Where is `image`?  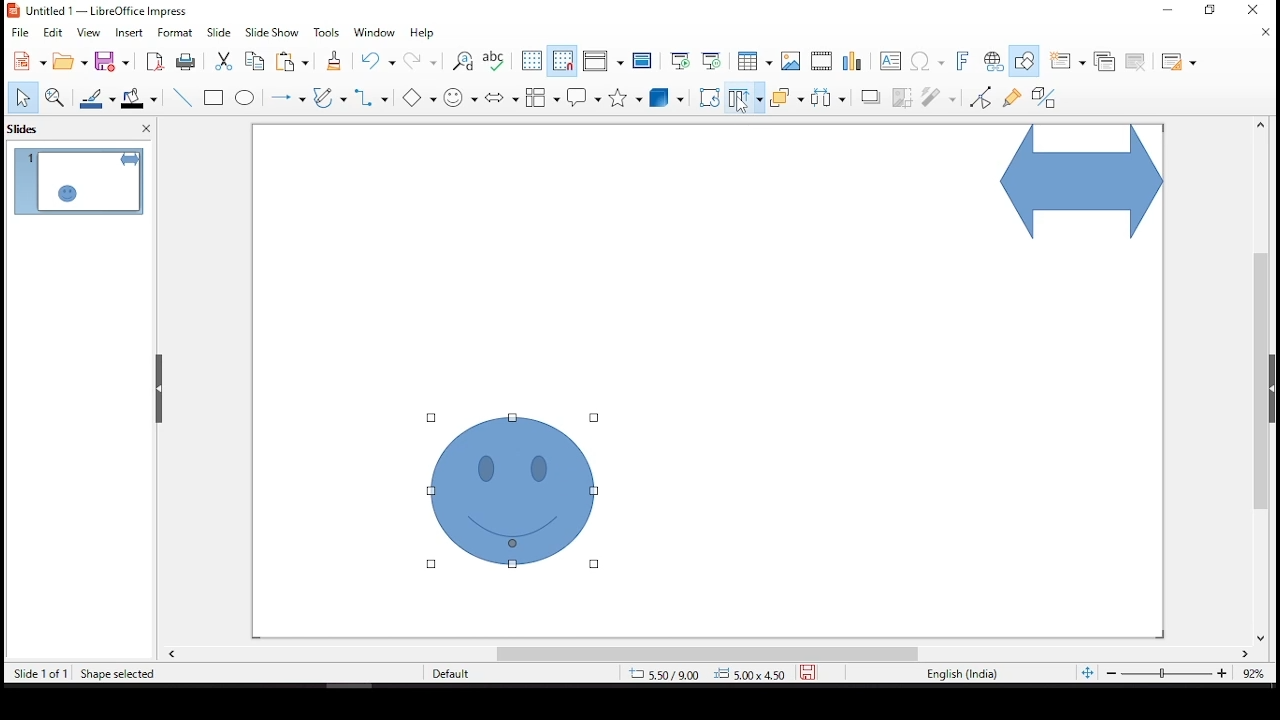 image is located at coordinates (791, 61).